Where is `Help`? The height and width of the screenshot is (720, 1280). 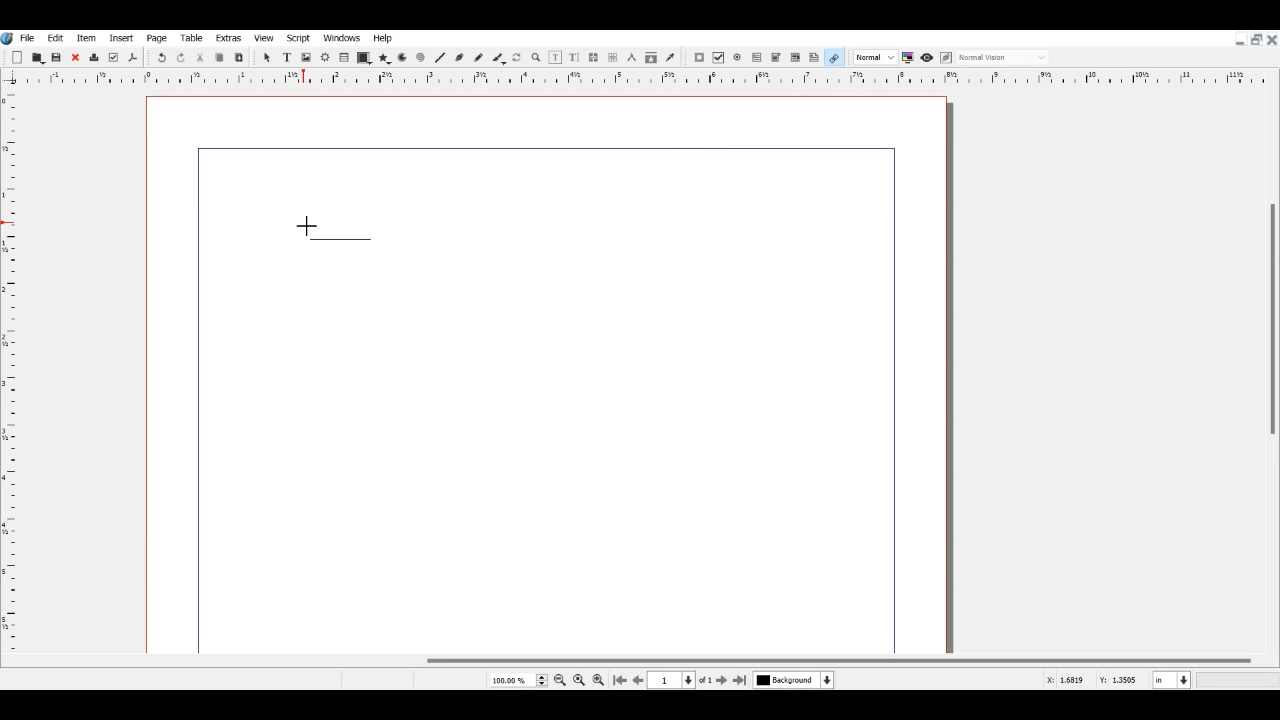
Help is located at coordinates (383, 38).